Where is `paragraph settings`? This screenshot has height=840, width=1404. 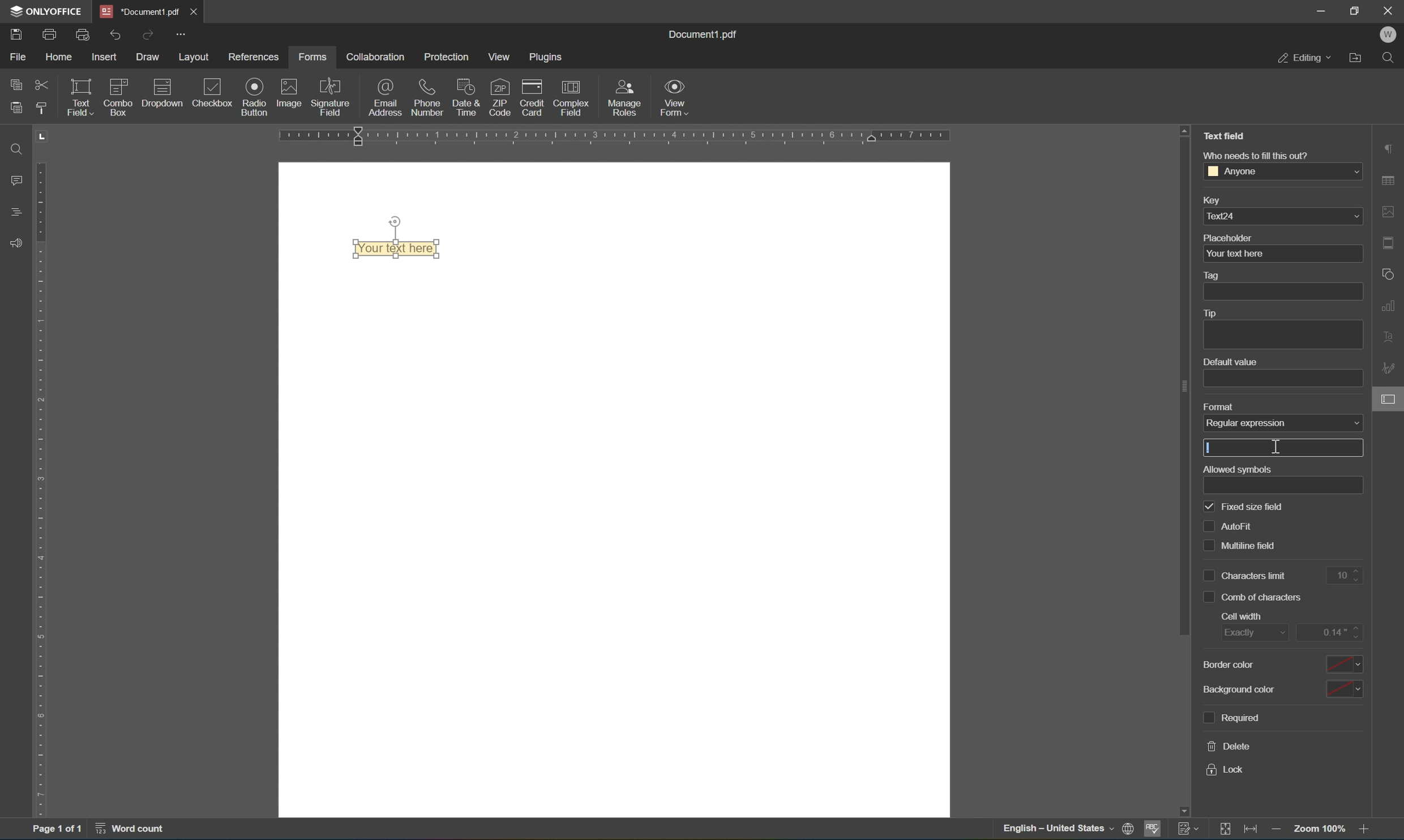 paragraph settings is located at coordinates (1389, 147).